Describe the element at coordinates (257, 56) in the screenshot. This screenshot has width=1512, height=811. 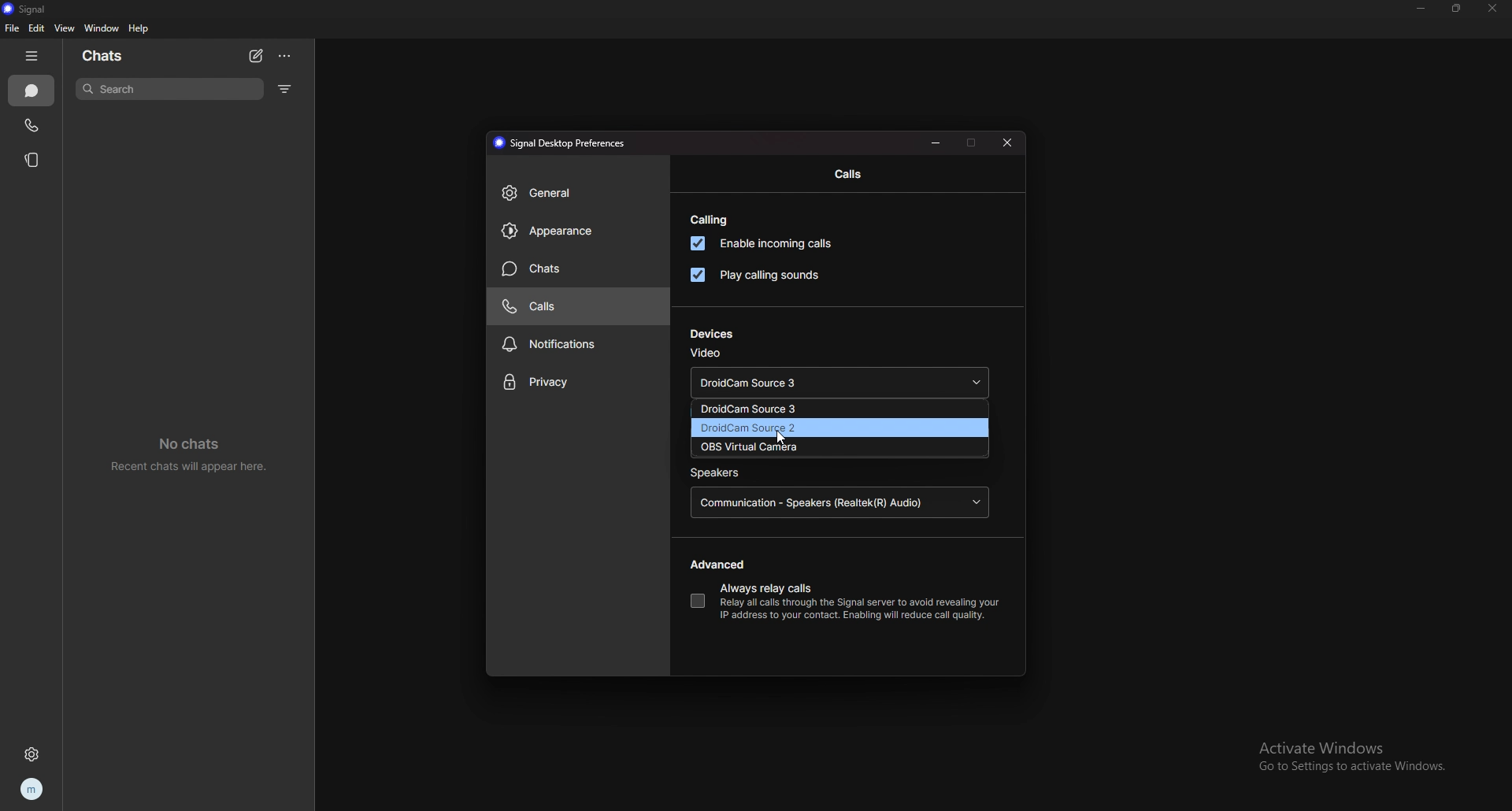
I see `new chat` at that location.